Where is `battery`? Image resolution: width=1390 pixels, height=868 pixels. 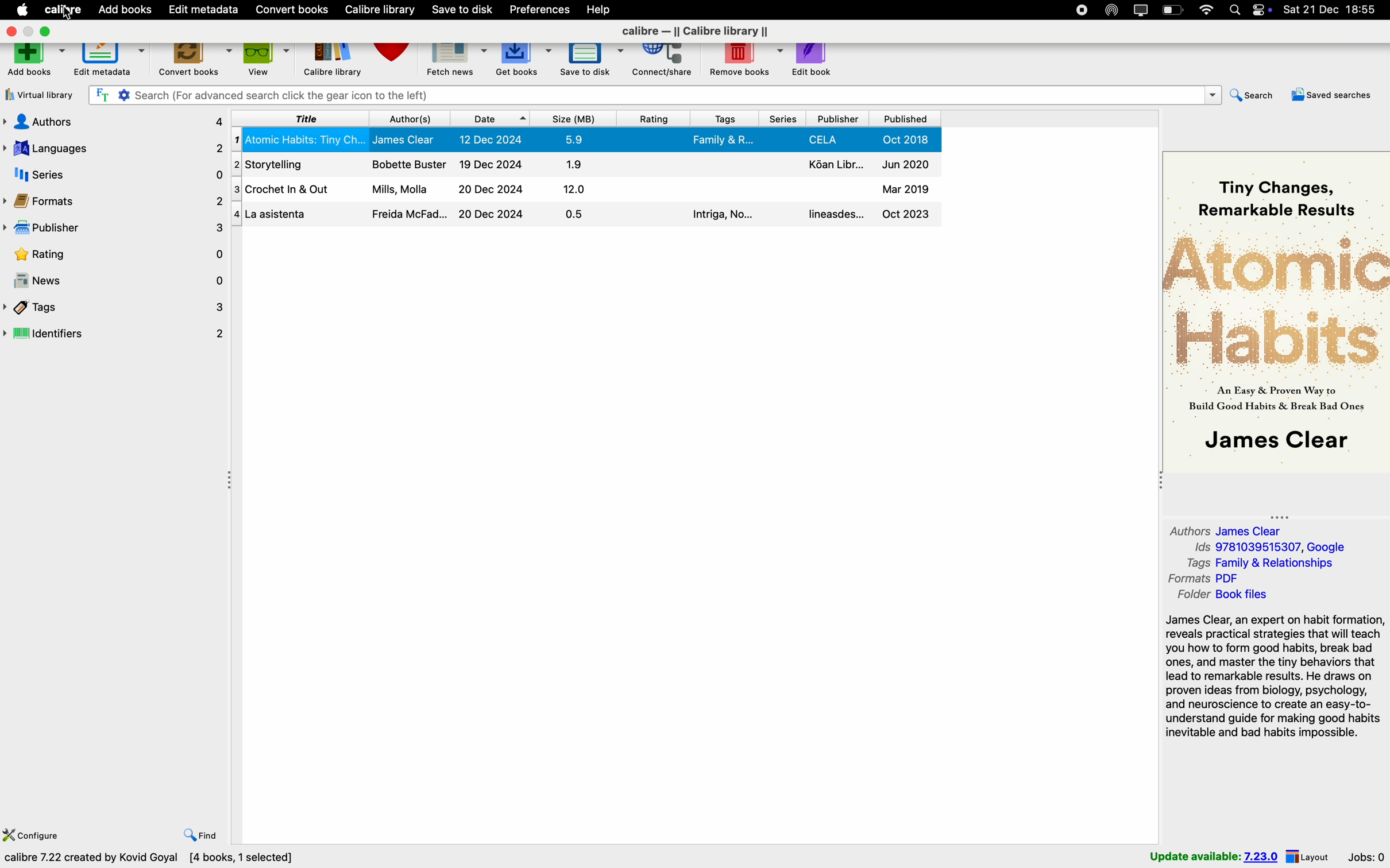
battery is located at coordinates (1173, 10).